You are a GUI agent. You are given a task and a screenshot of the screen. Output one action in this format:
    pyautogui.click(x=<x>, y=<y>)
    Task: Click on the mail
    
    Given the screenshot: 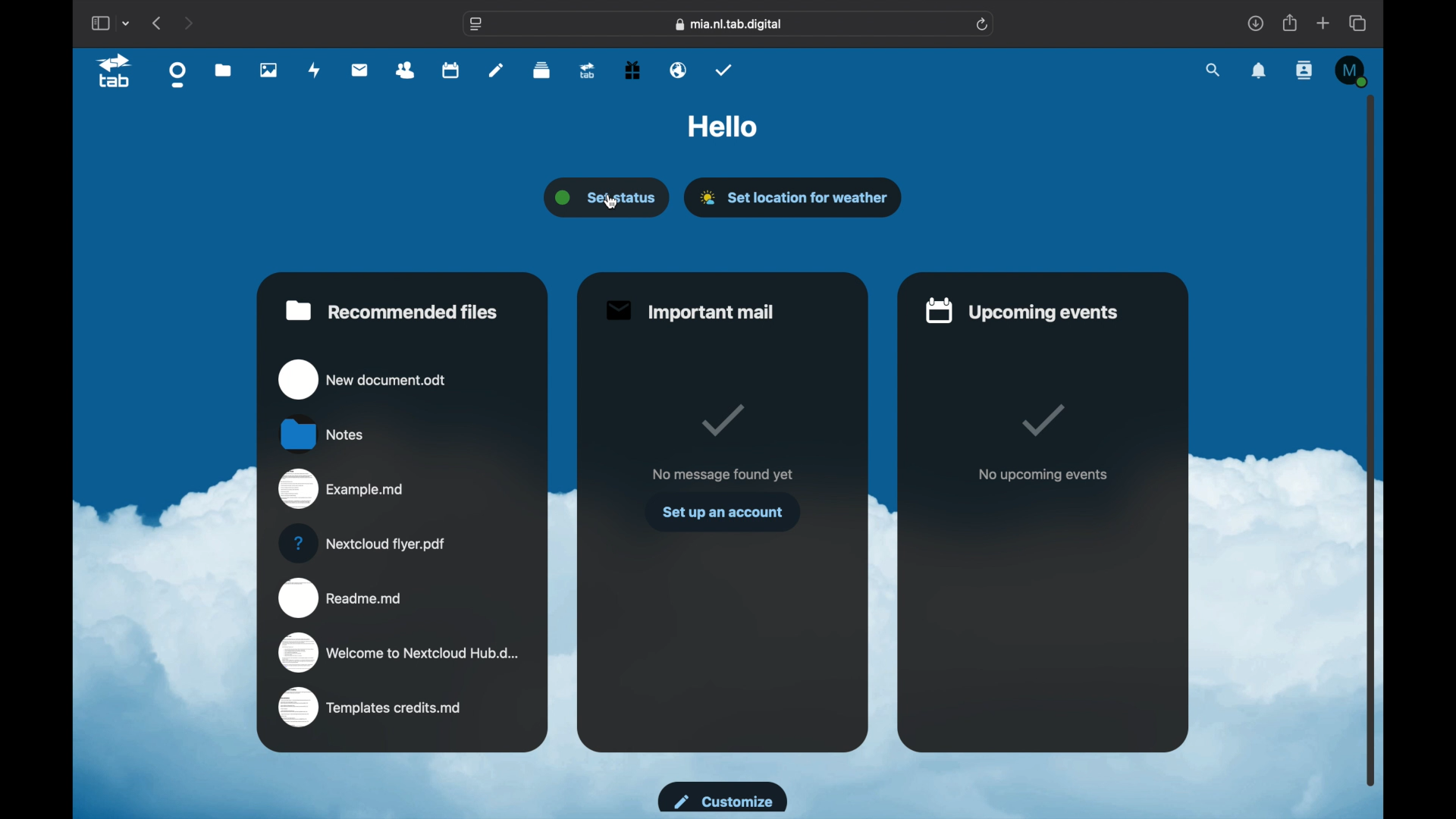 What is the action you would take?
    pyautogui.click(x=360, y=69)
    